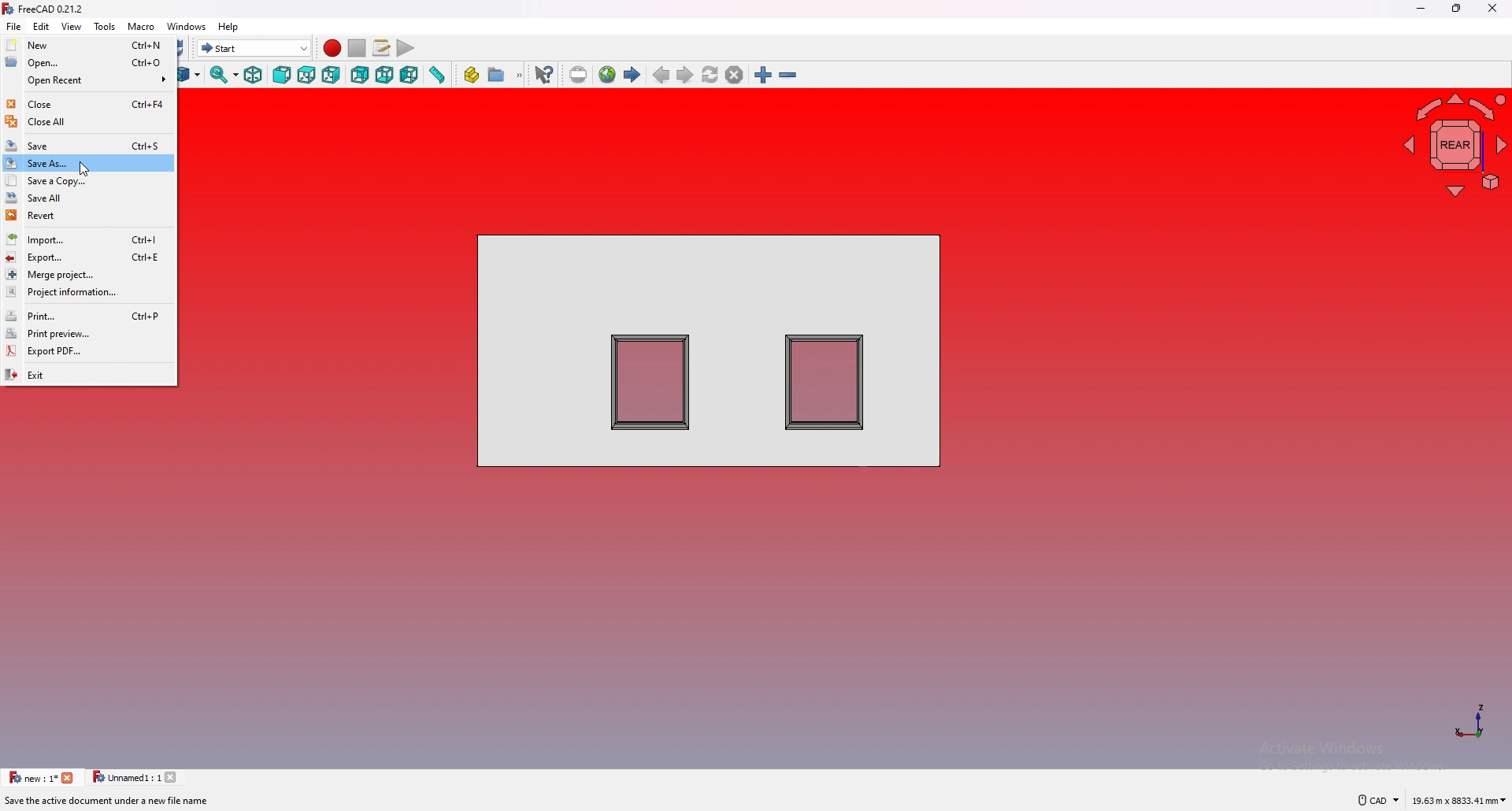 The width and height of the screenshot is (1512, 811). Describe the element at coordinates (1470, 720) in the screenshot. I see `axis` at that location.